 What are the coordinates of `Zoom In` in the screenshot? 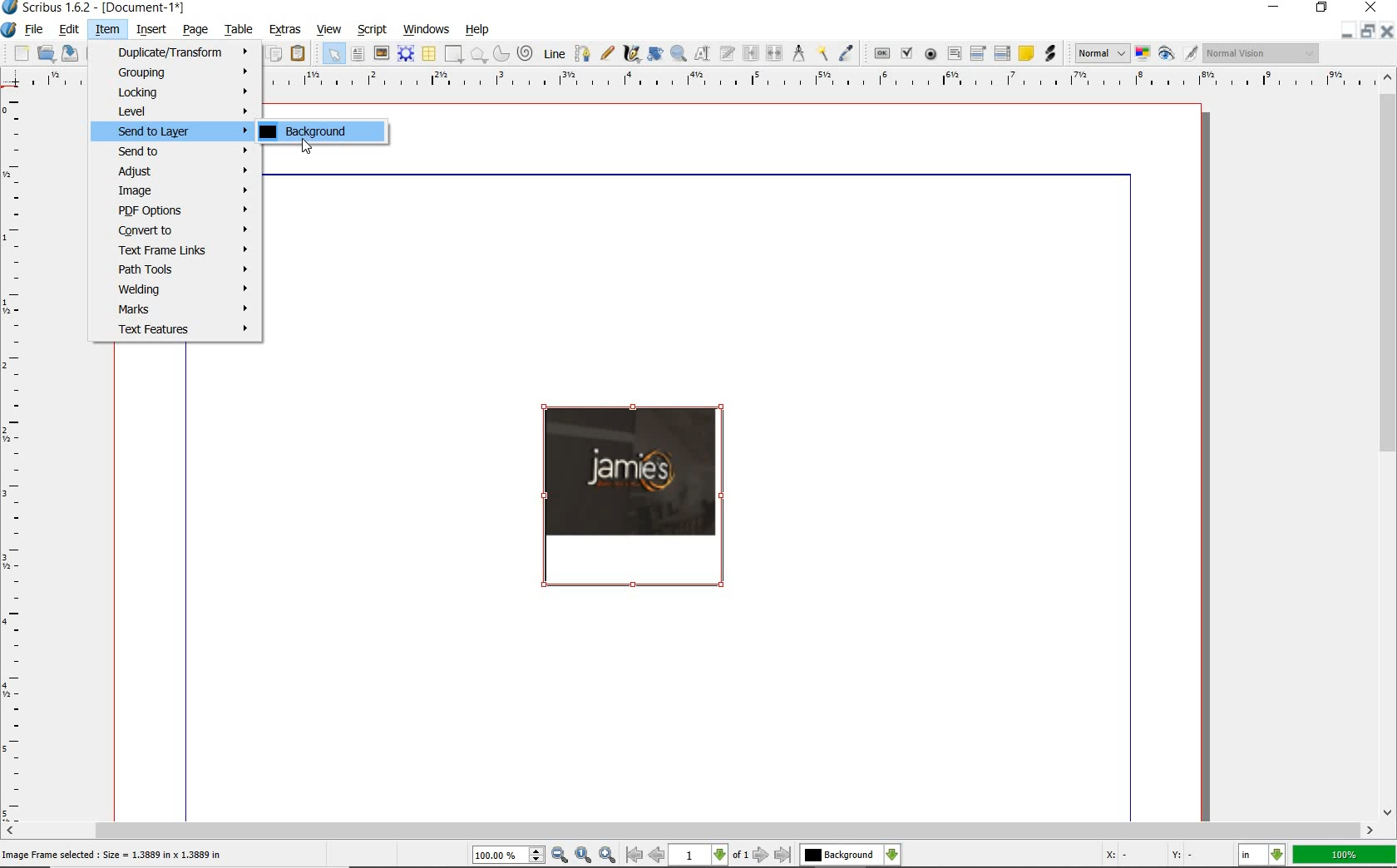 It's located at (608, 856).